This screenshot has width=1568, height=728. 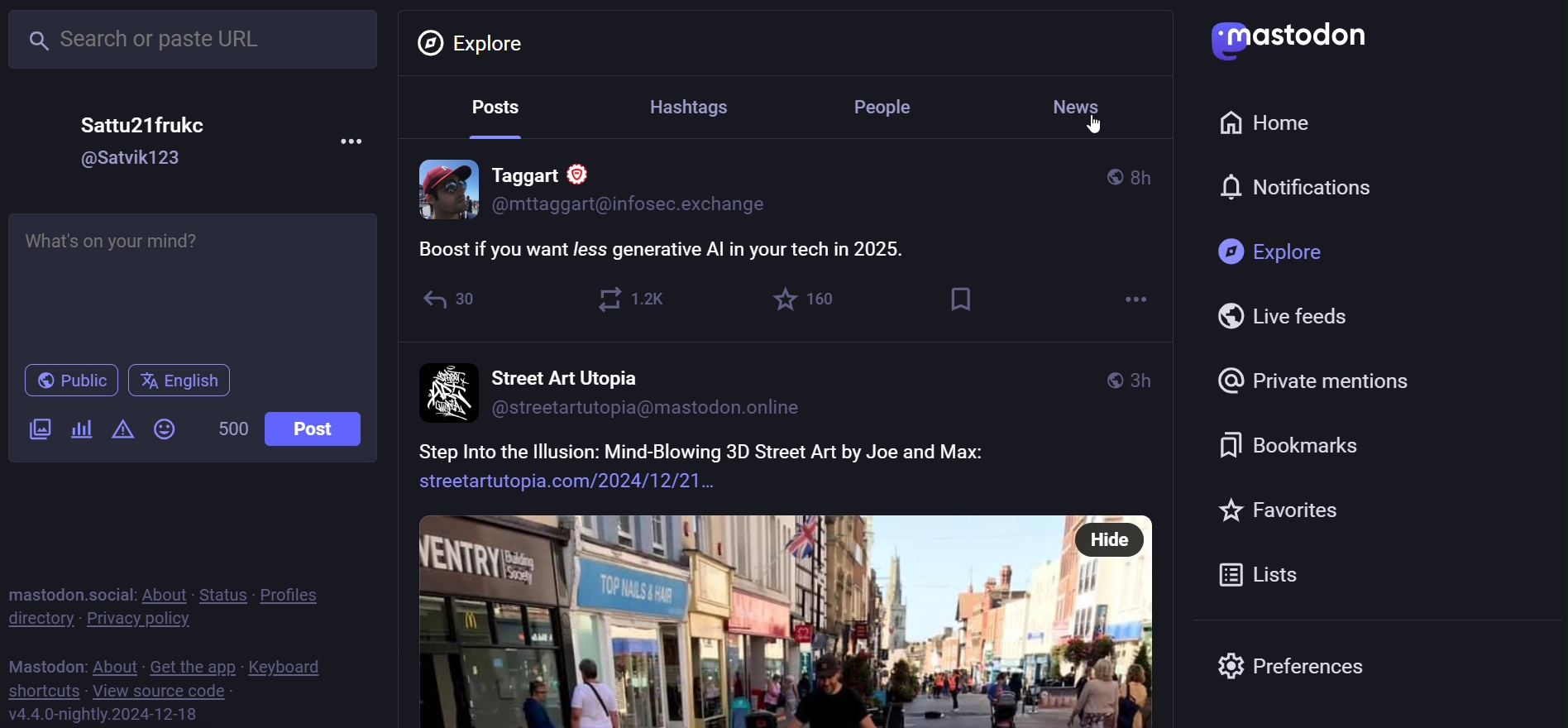 I want to click on status, so click(x=221, y=595).